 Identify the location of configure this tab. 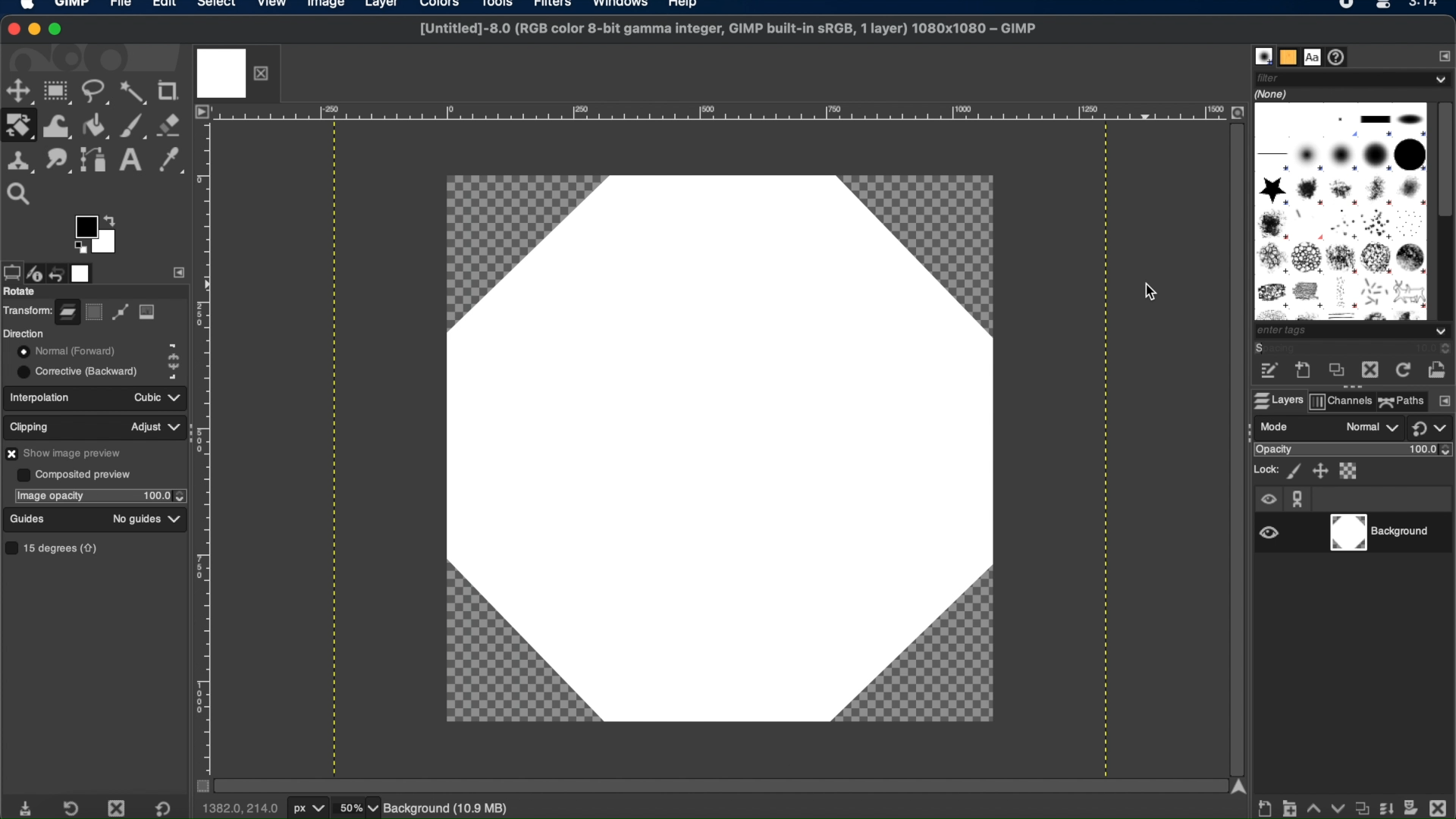
(1442, 55).